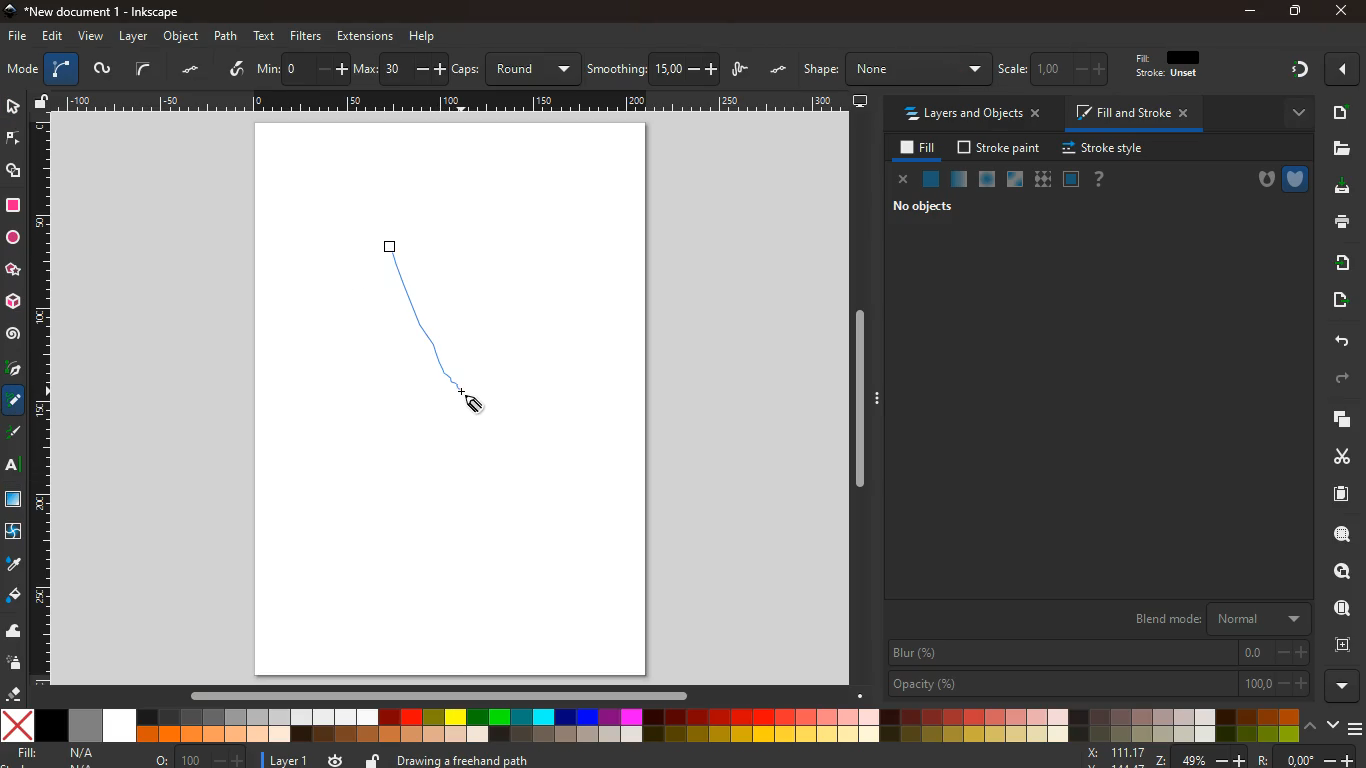  What do you see at coordinates (266, 37) in the screenshot?
I see `text` at bounding box center [266, 37].